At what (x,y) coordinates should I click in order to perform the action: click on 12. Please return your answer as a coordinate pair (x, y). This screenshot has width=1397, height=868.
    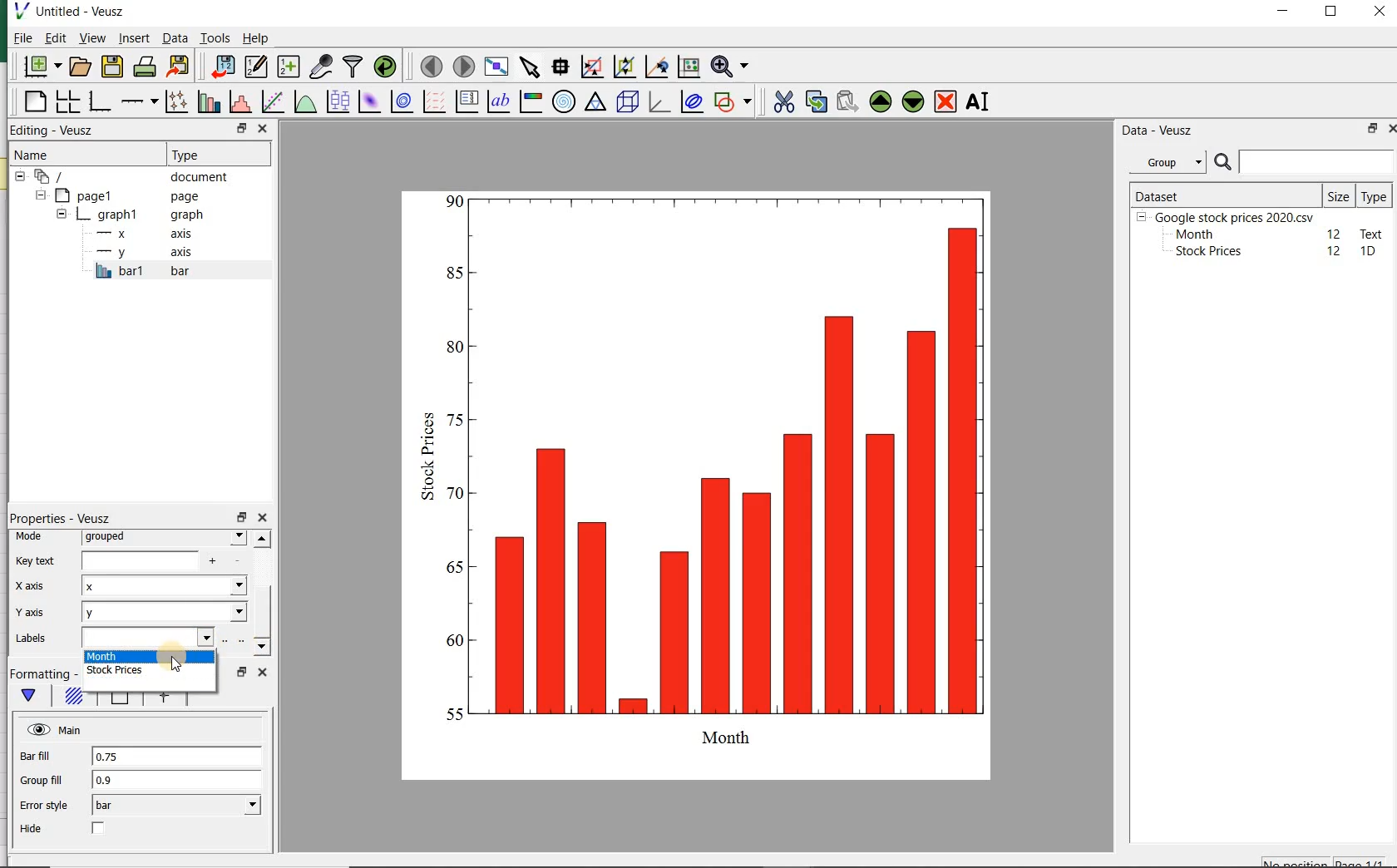
    Looking at the image, I should click on (1335, 233).